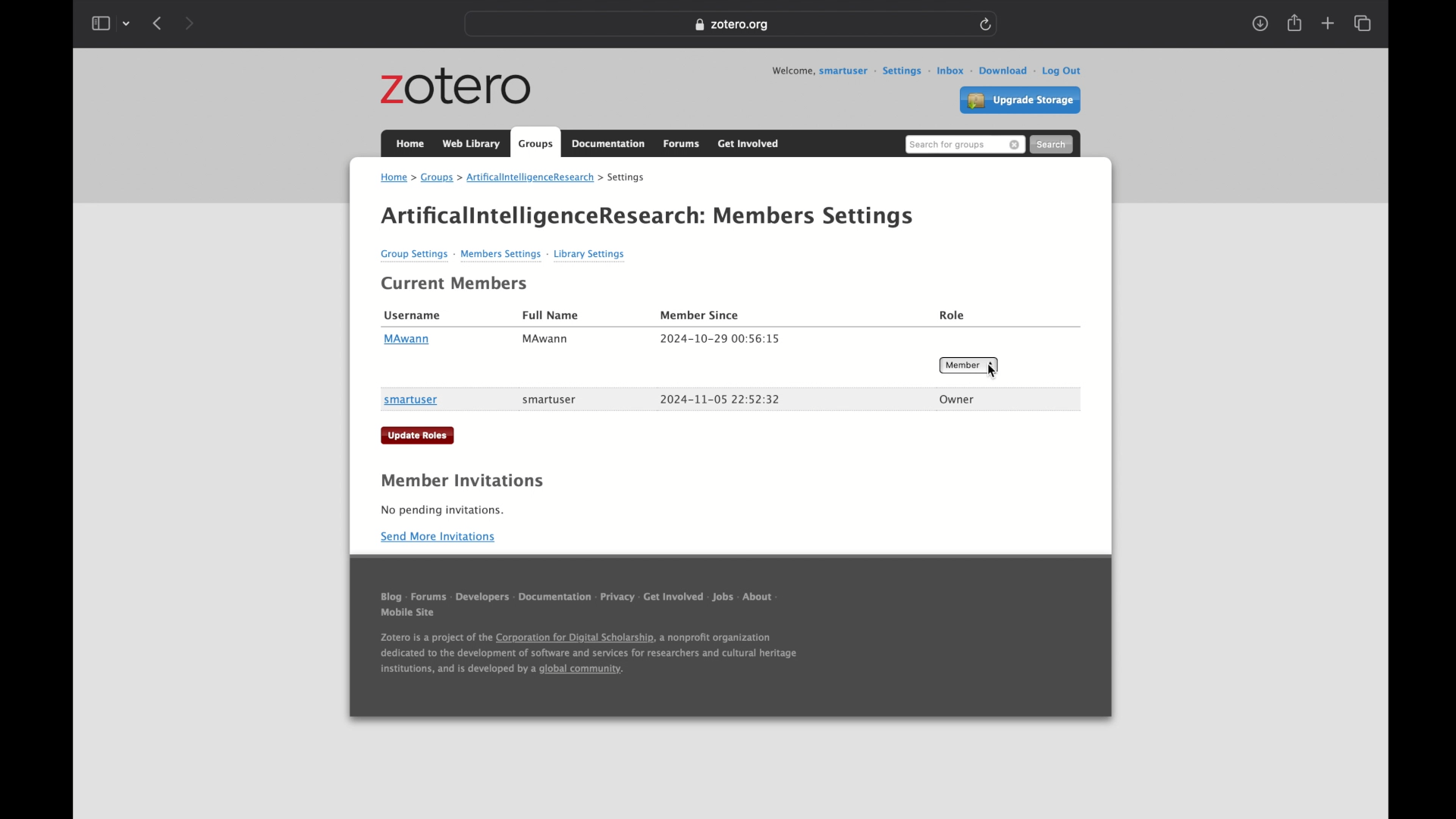 The width and height of the screenshot is (1456, 819). I want to click on remove, so click(1015, 146).